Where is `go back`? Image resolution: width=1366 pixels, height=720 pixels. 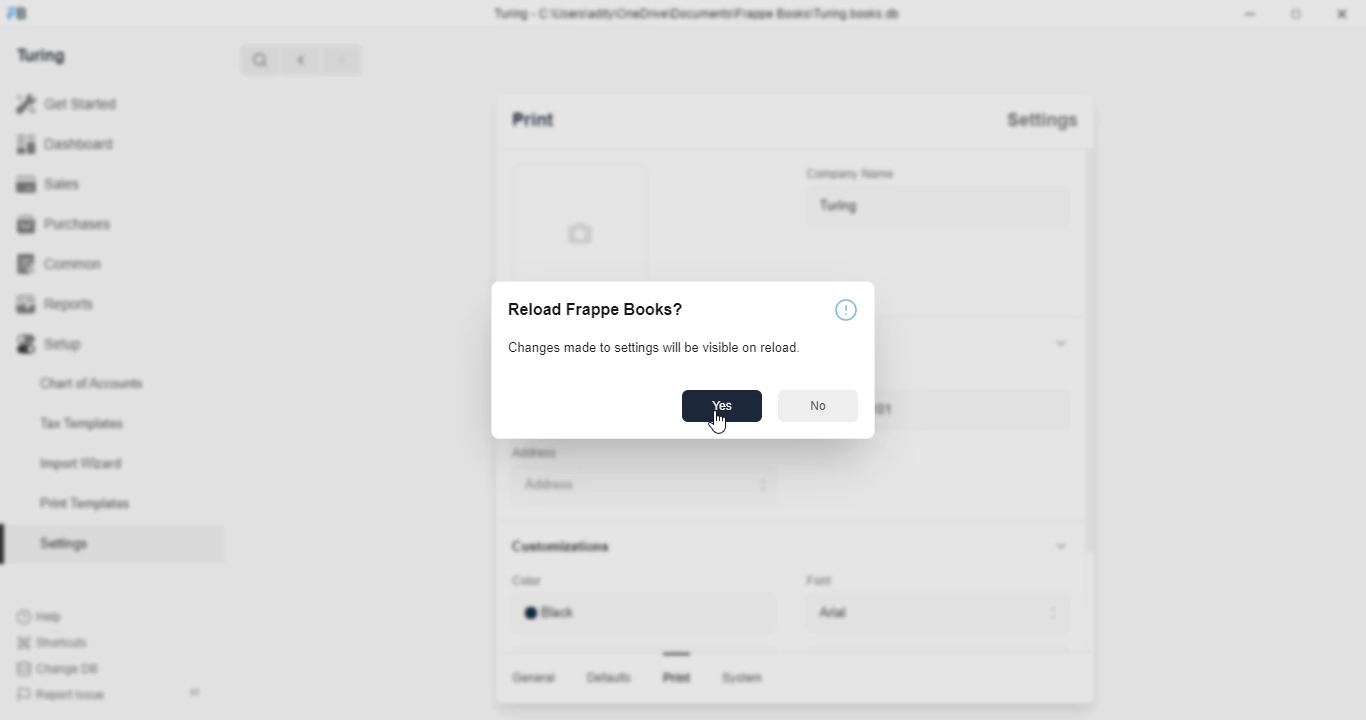 go back is located at coordinates (302, 58).